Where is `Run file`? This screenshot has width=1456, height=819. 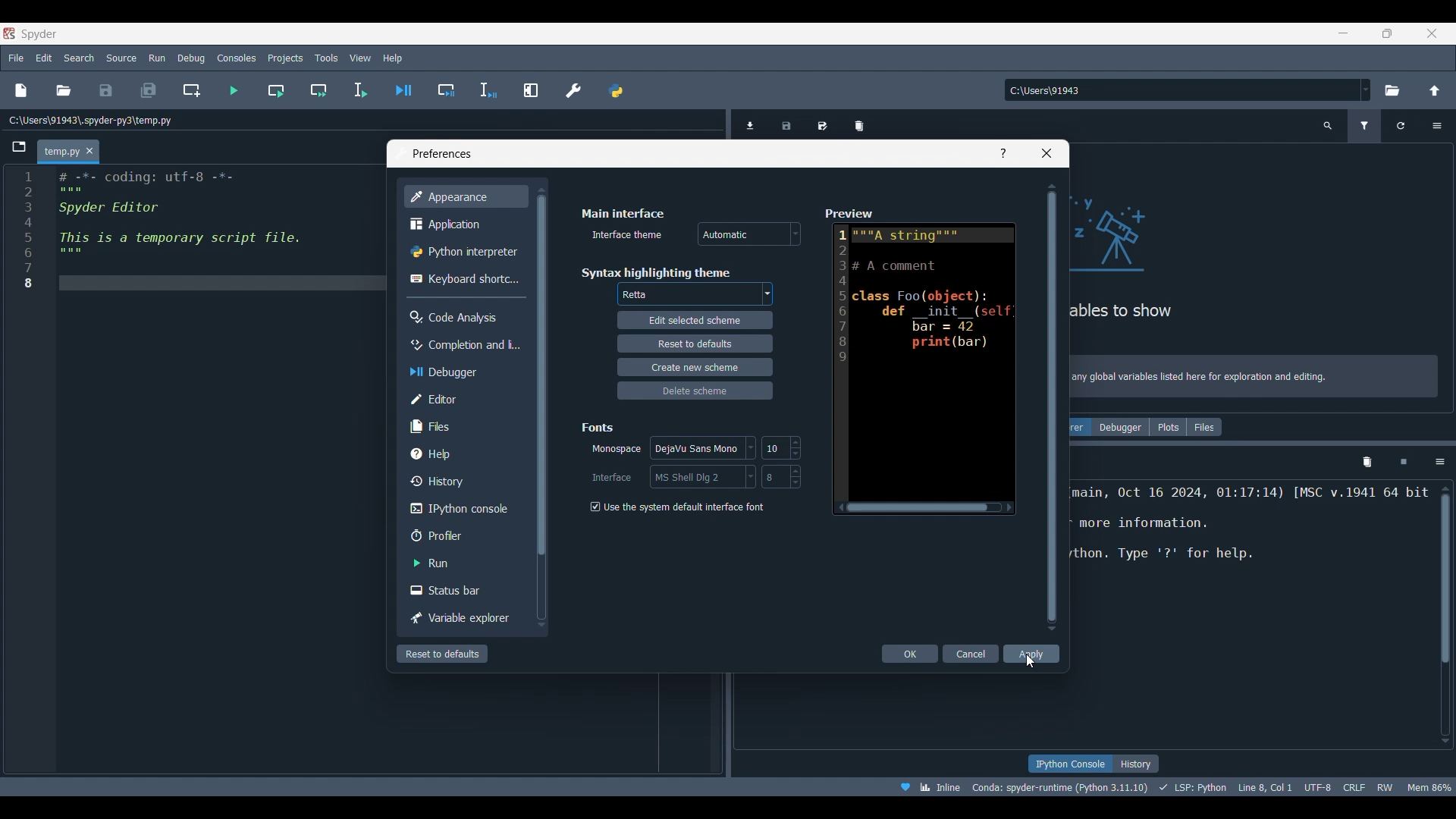 Run file is located at coordinates (234, 90).